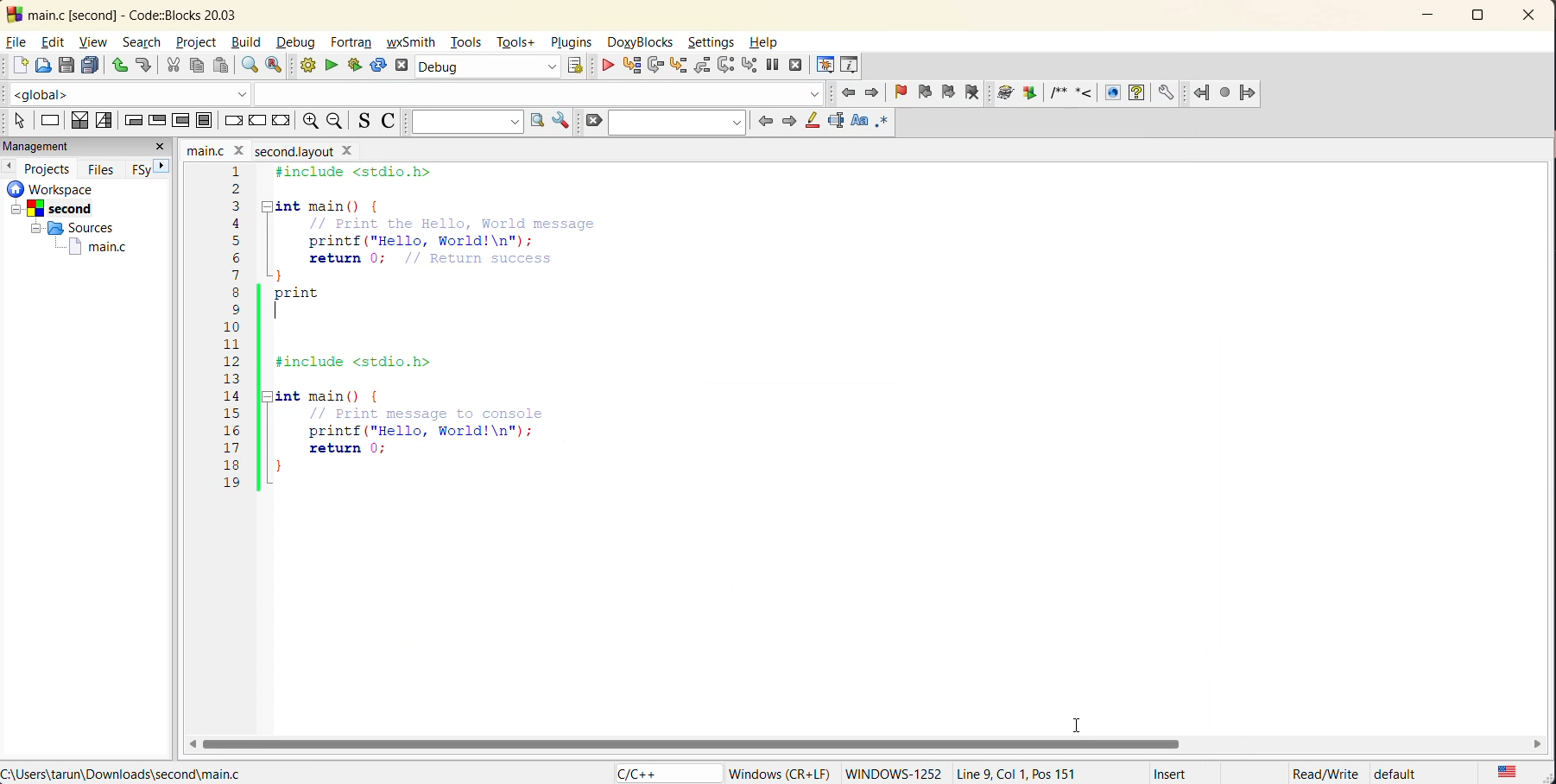  I want to click on minimize, so click(1434, 14).